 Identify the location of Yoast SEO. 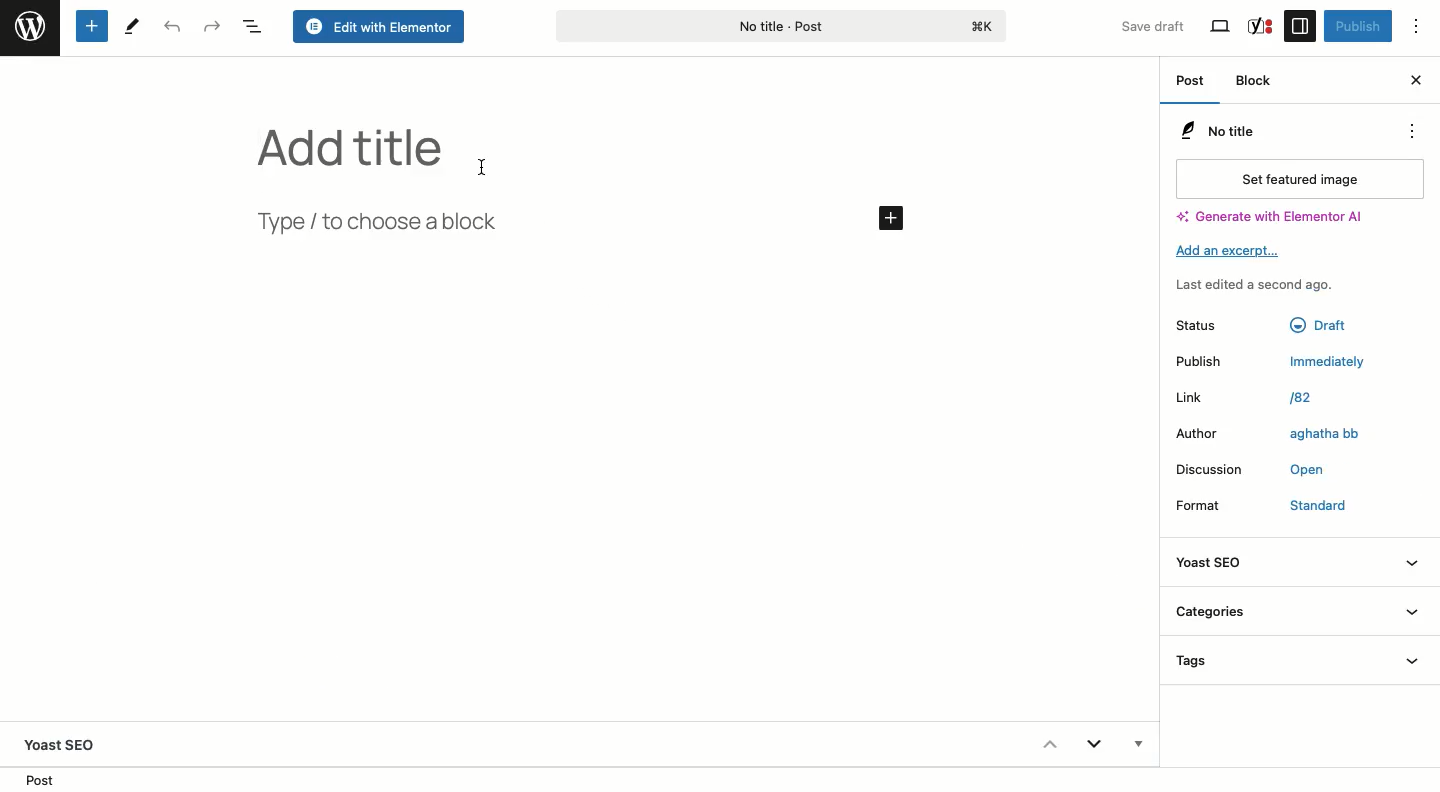
(1298, 561).